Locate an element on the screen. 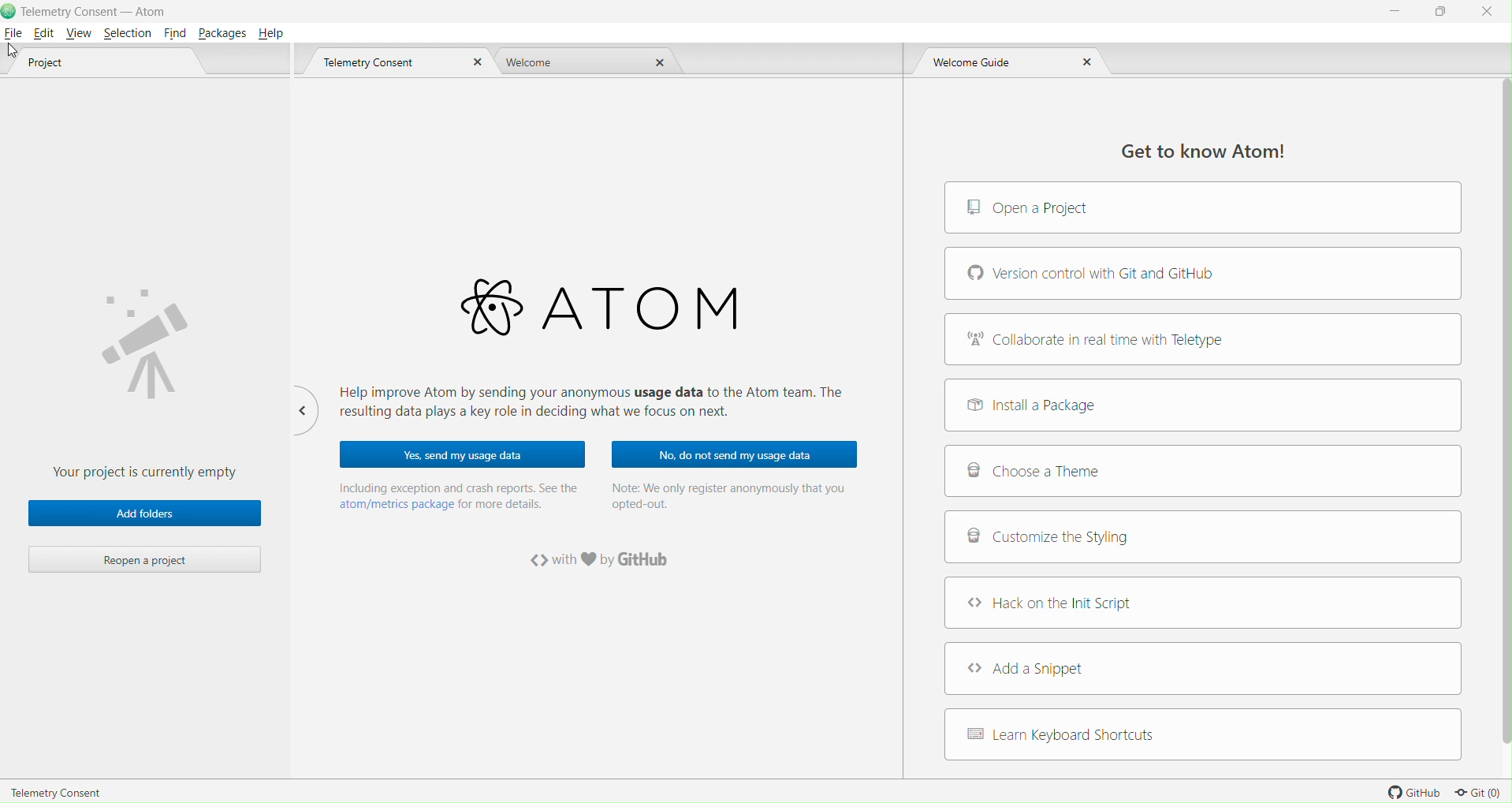  Git (0) is located at coordinates (1479, 793).